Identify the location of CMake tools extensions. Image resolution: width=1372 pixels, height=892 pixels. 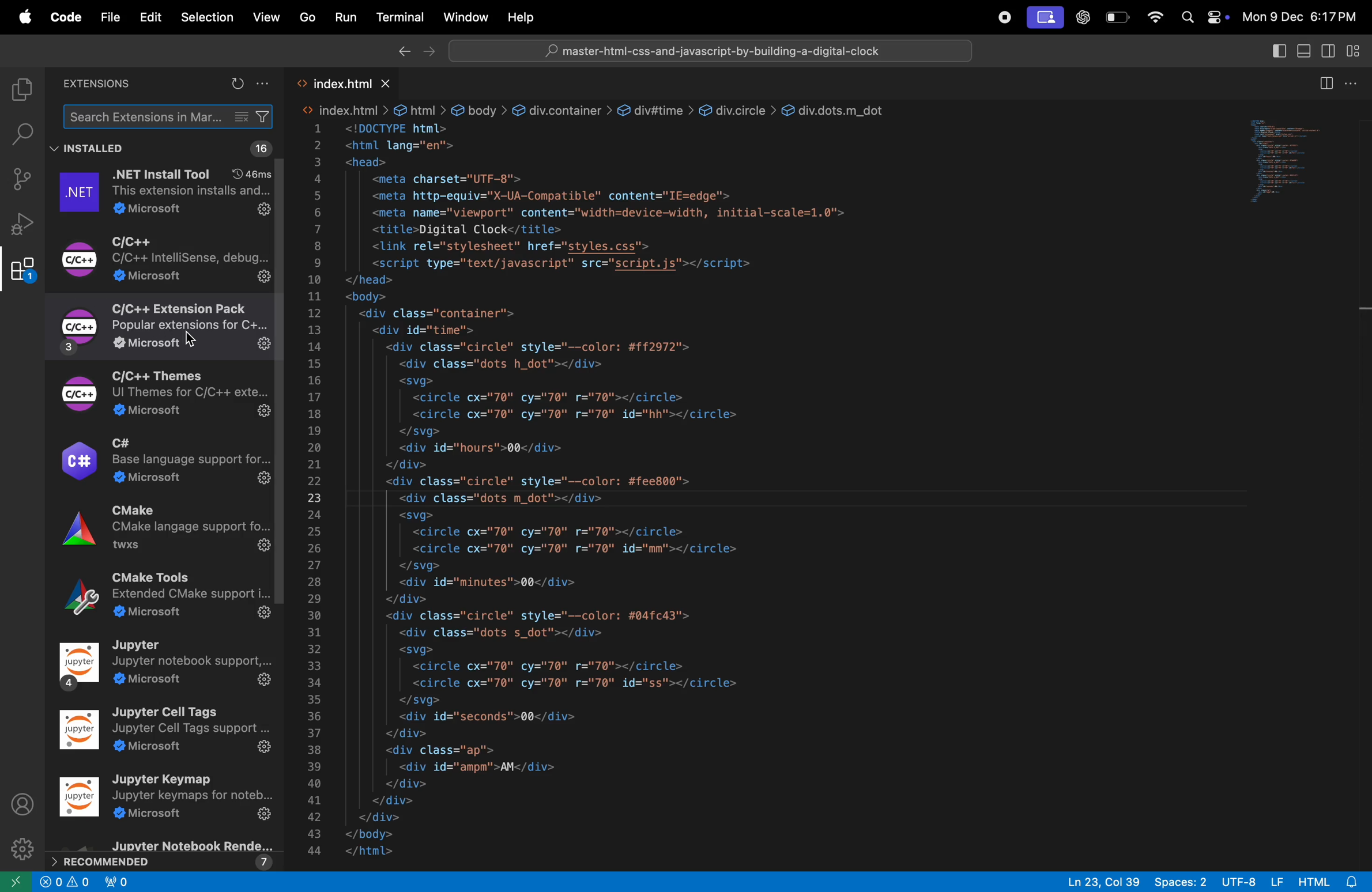
(163, 598).